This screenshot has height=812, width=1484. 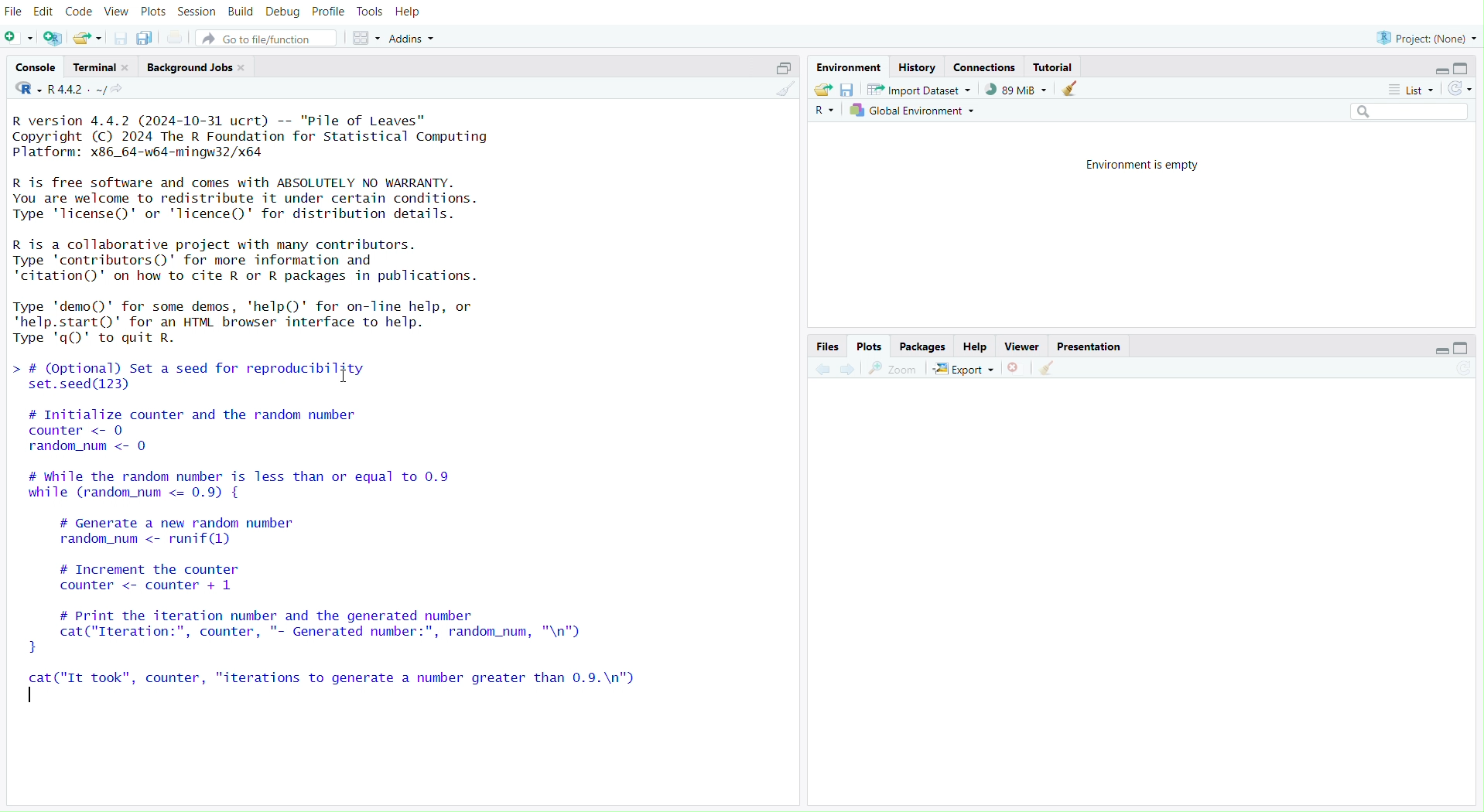 I want to click on View the current working directory, so click(x=133, y=90).